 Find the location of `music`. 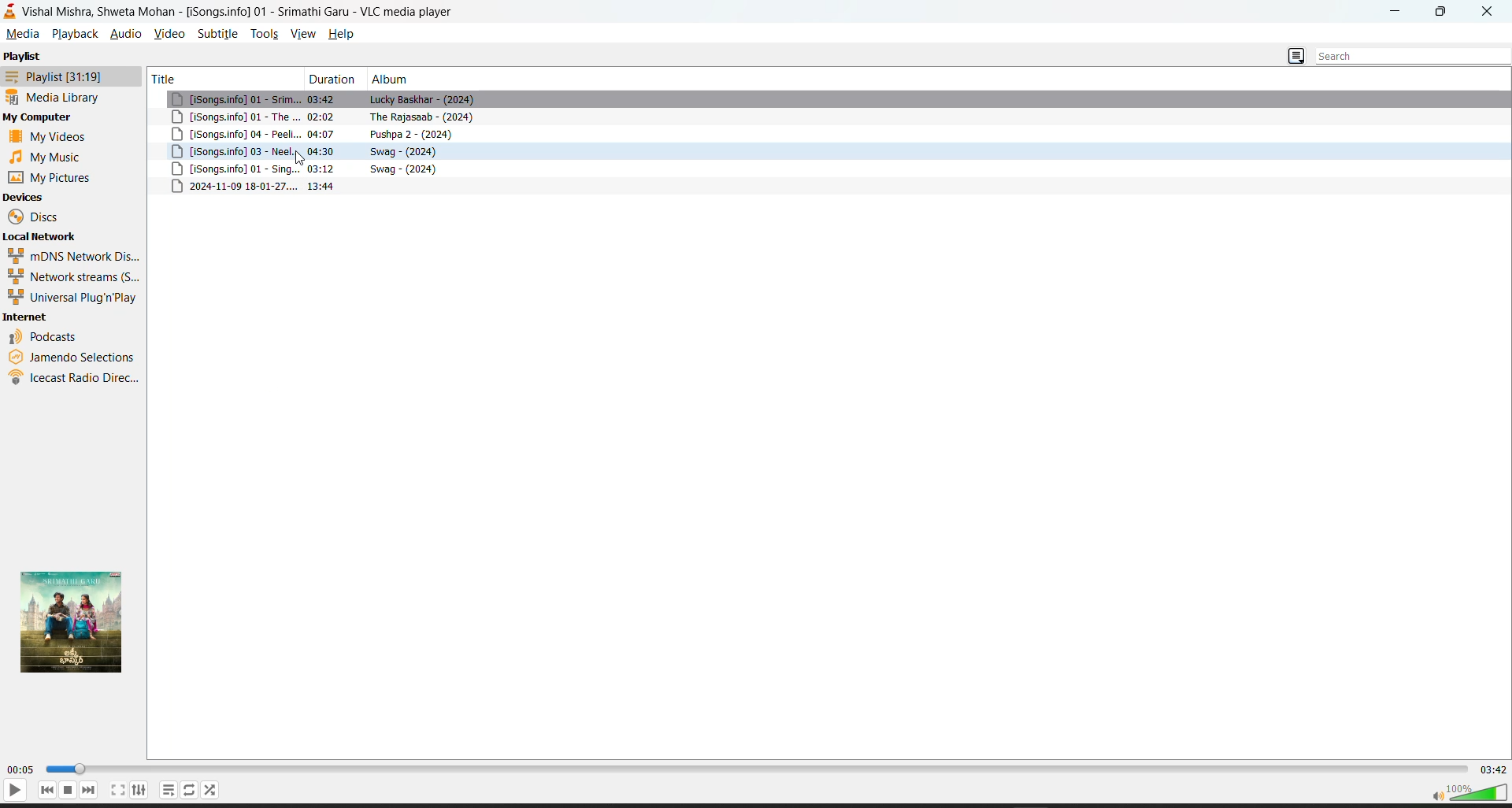

music is located at coordinates (51, 157).